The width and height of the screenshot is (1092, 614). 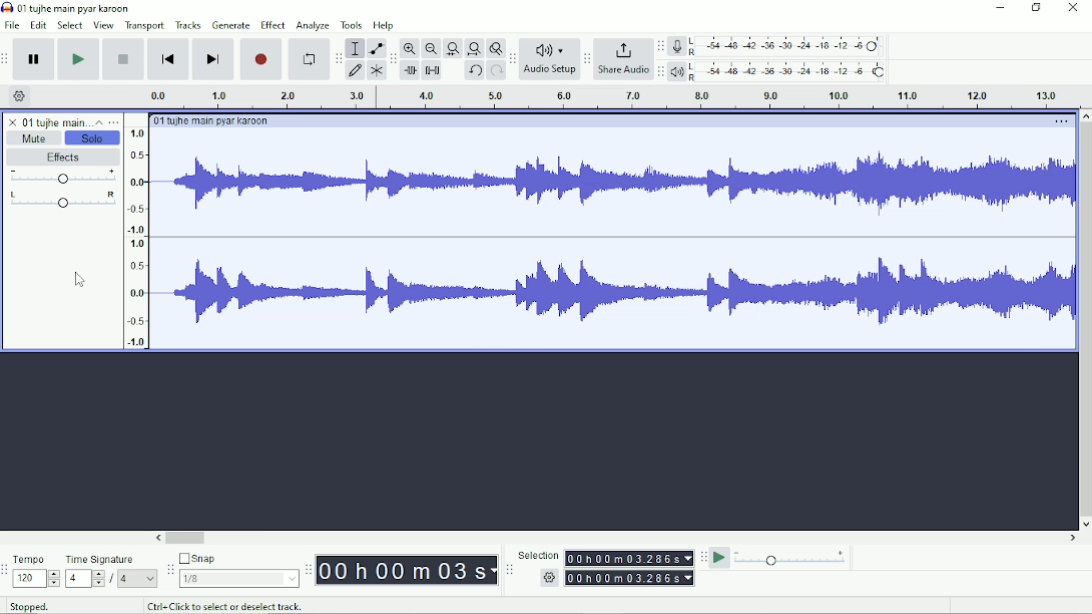 I want to click on Selection tool, so click(x=355, y=48).